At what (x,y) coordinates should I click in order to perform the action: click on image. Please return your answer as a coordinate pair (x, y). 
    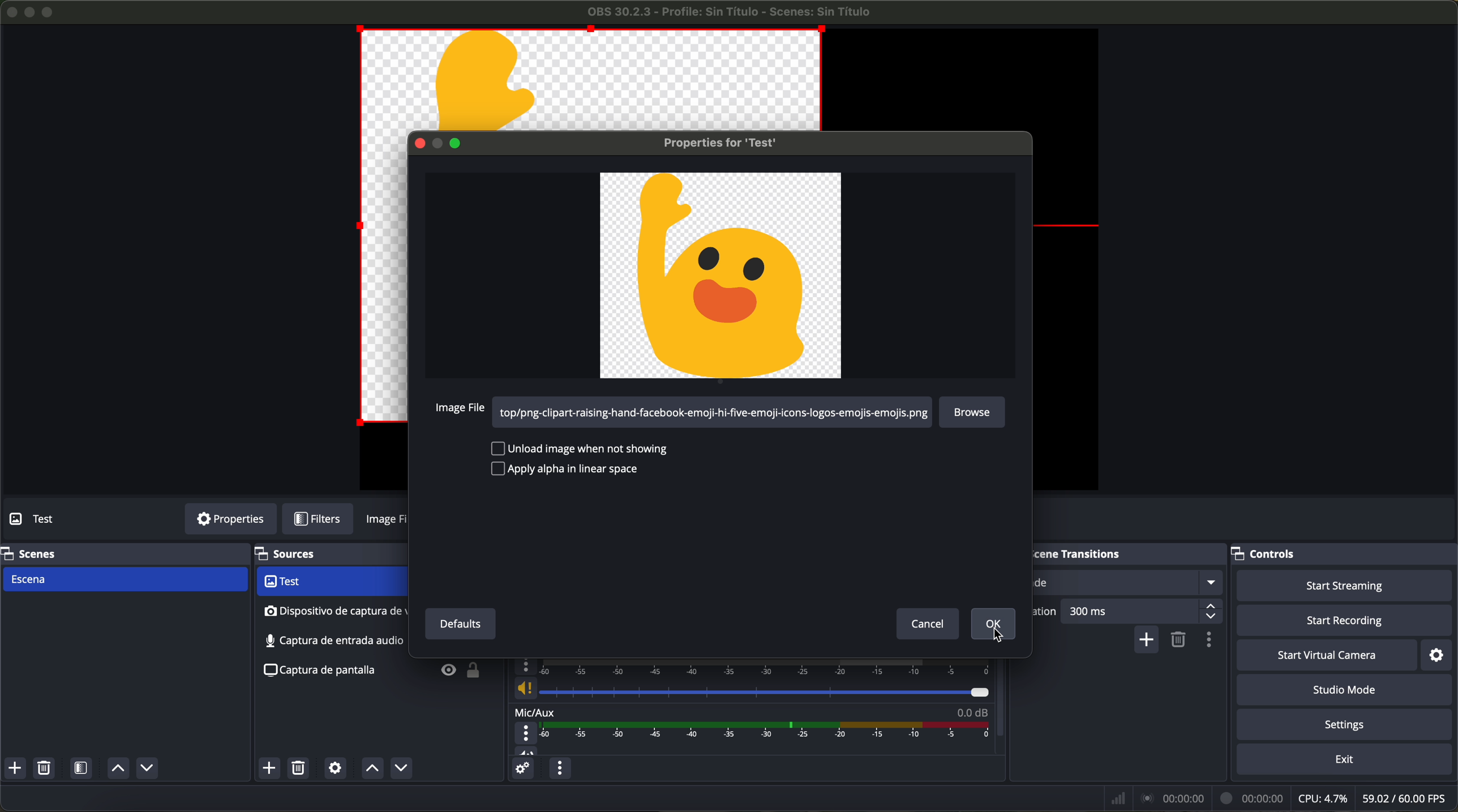
    Looking at the image, I should click on (389, 521).